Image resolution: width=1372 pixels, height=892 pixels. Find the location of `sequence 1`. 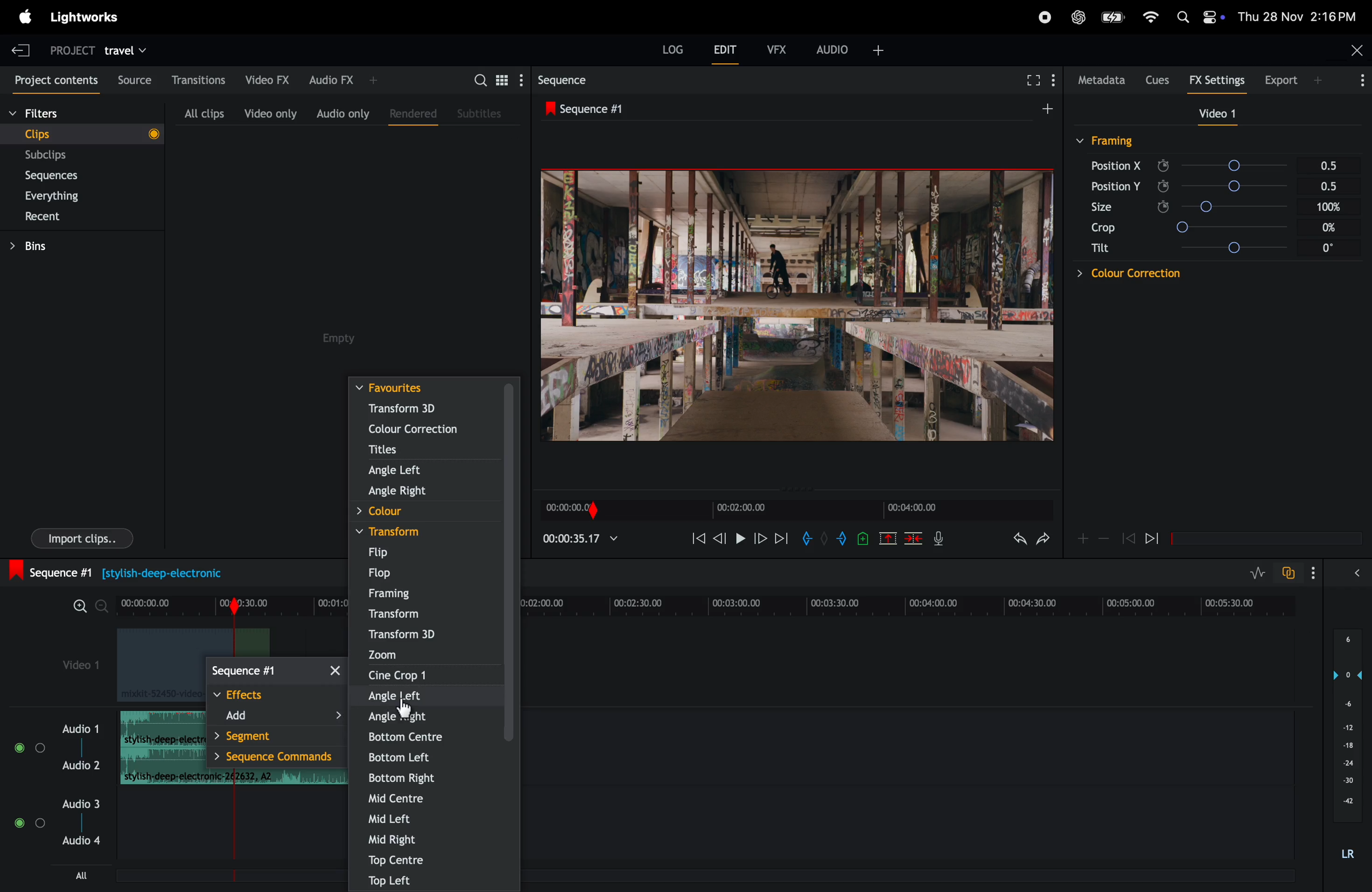

sequence 1 is located at coordinates (137, 573).